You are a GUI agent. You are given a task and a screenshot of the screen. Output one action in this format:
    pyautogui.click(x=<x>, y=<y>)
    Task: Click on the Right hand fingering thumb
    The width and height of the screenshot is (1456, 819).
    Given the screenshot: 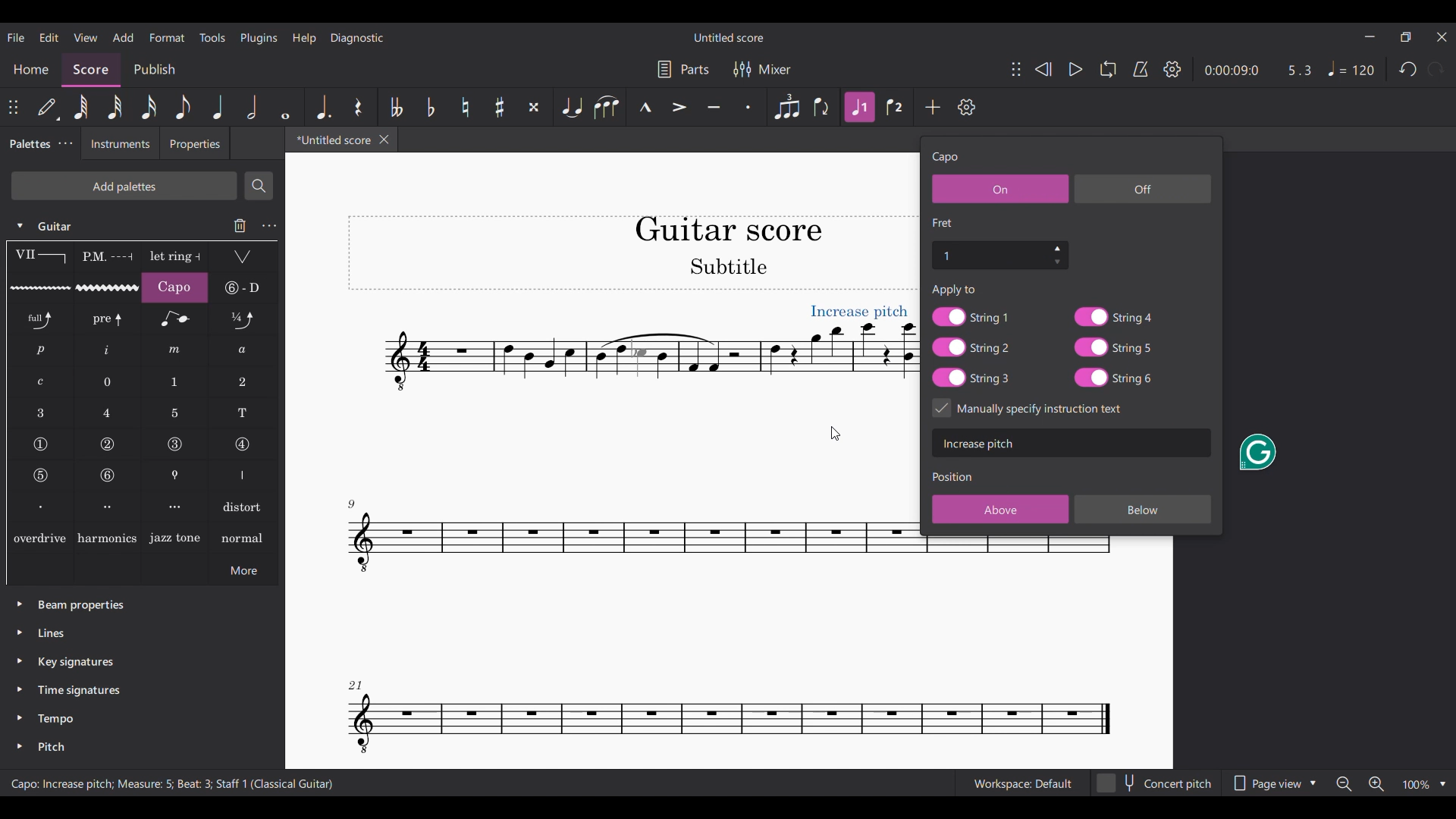 What is the action you would take?
    pyautogui.click(x=243, y=475)
    